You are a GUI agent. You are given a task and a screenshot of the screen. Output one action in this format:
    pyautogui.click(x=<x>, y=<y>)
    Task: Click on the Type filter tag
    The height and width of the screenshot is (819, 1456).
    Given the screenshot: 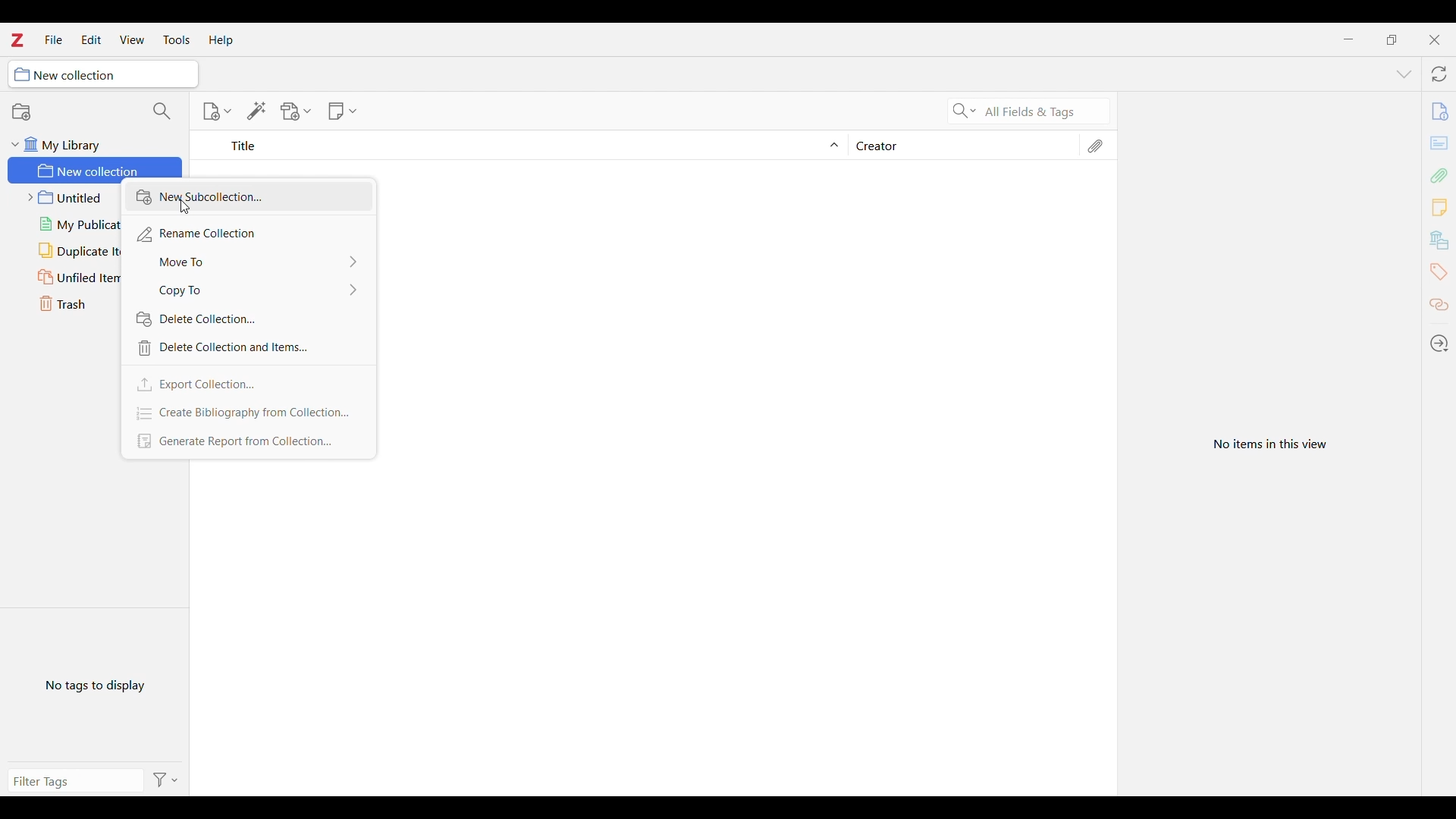 What is the action you would take?
    pyautogui.click(x=66, y=783)
    